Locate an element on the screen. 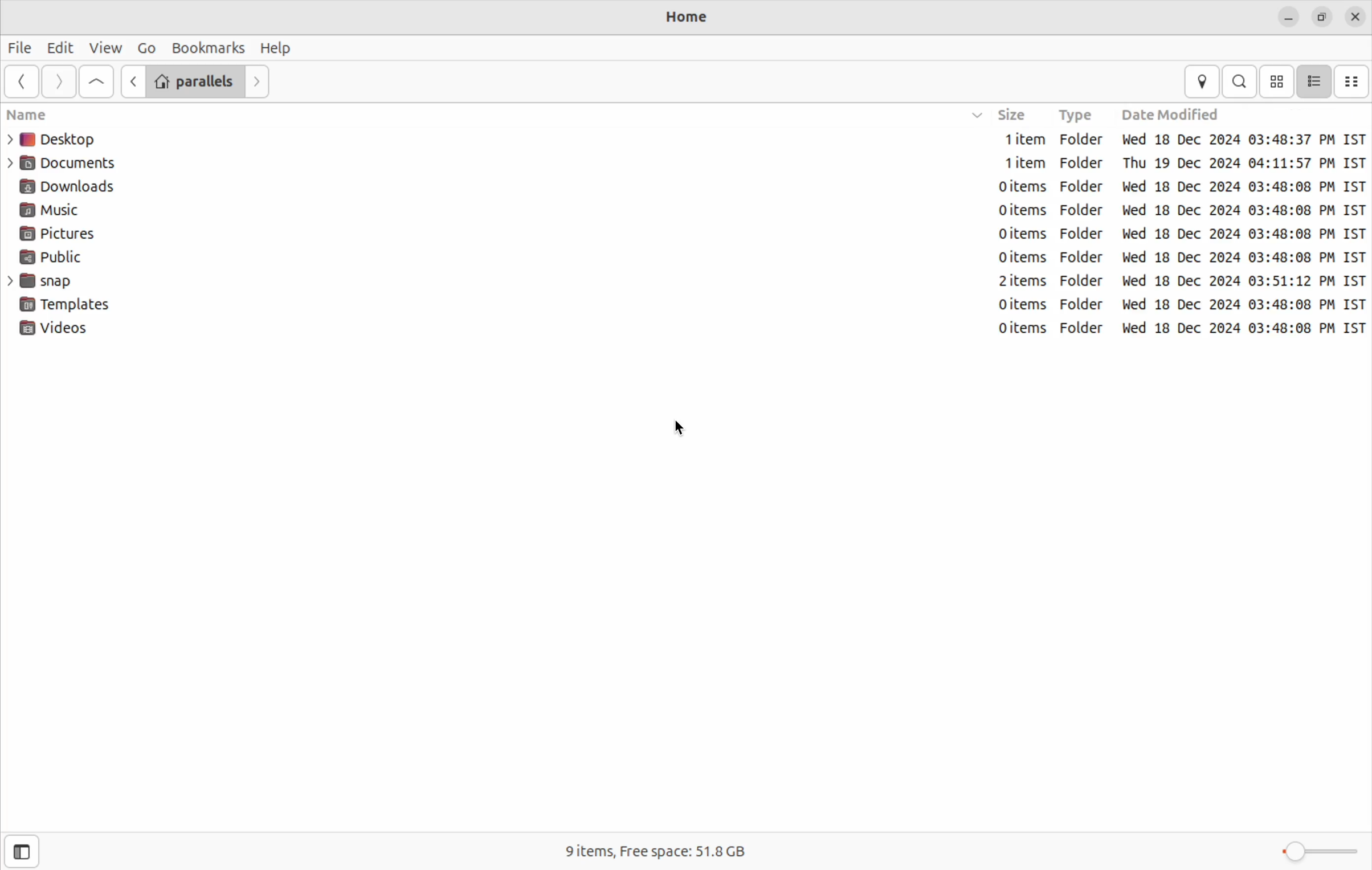 The height and width of the screenshot is (870, 1372). Folder is located at coordinates (1083, 166).